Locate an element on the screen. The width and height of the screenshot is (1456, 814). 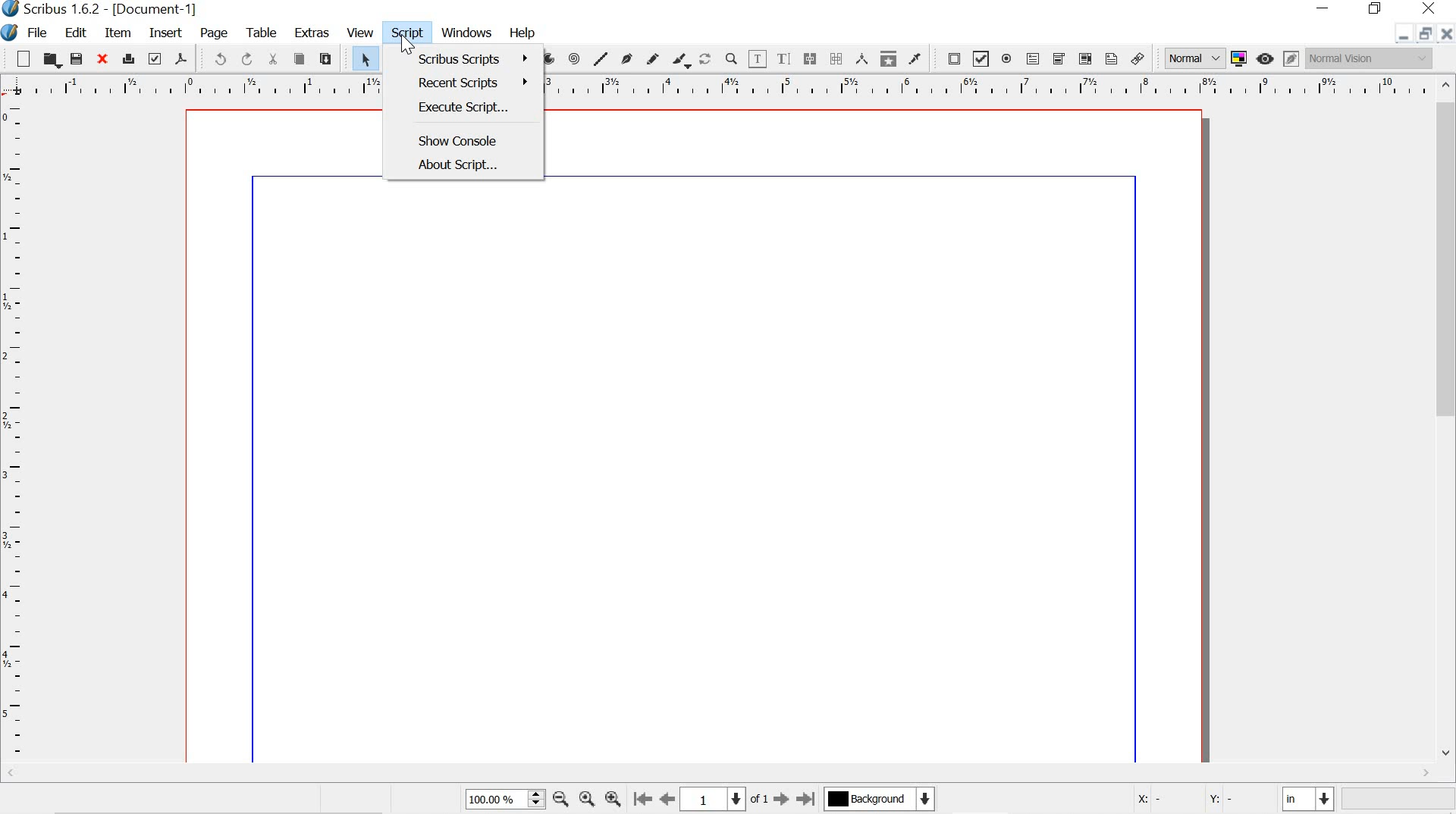
insert is located at coordinates (165, 33).